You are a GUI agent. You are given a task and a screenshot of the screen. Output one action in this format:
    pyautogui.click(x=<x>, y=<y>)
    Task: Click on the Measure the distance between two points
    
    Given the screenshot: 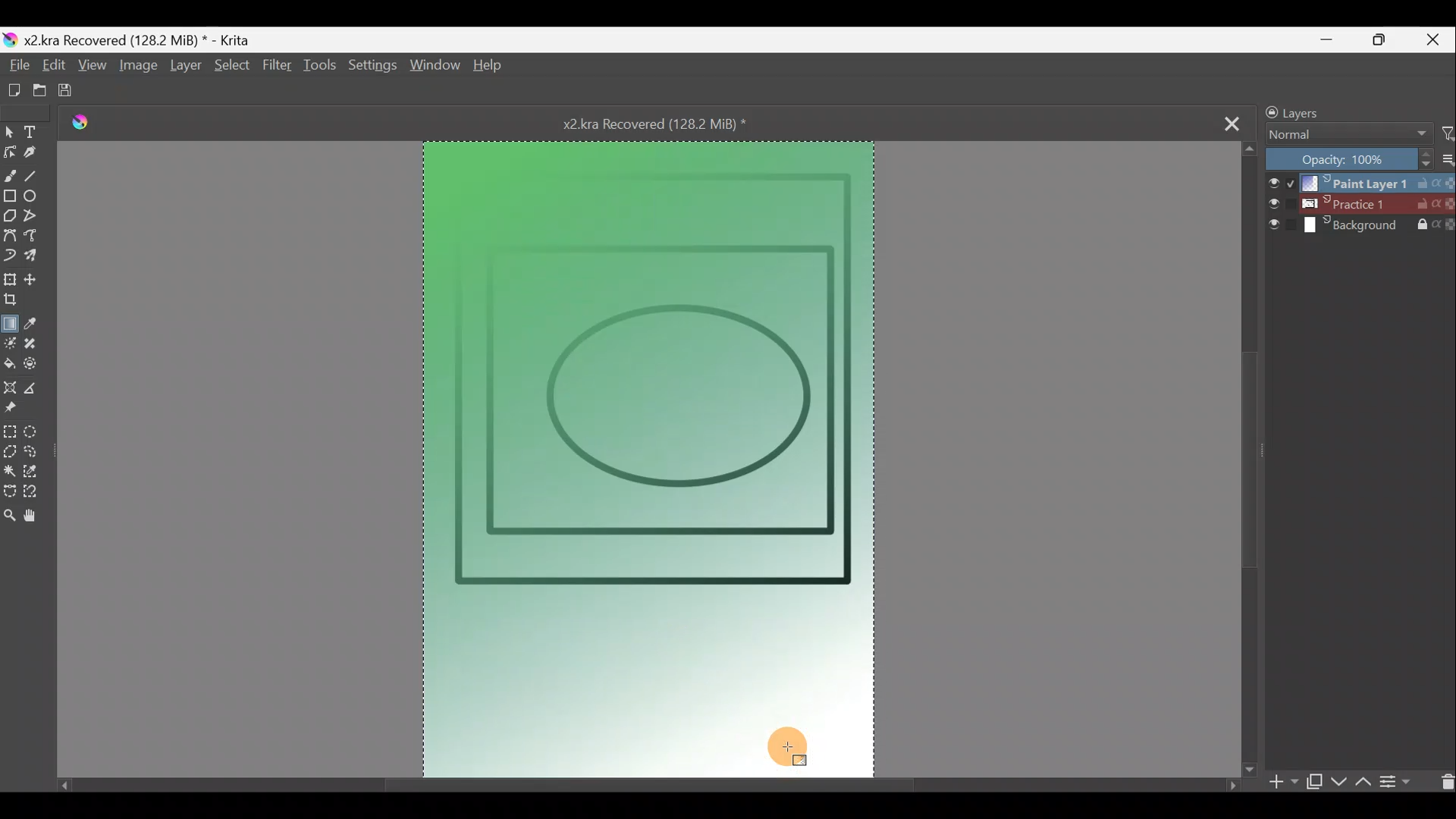 What is the action you would take?
    pyautogui.click(x=37, y=393)
    